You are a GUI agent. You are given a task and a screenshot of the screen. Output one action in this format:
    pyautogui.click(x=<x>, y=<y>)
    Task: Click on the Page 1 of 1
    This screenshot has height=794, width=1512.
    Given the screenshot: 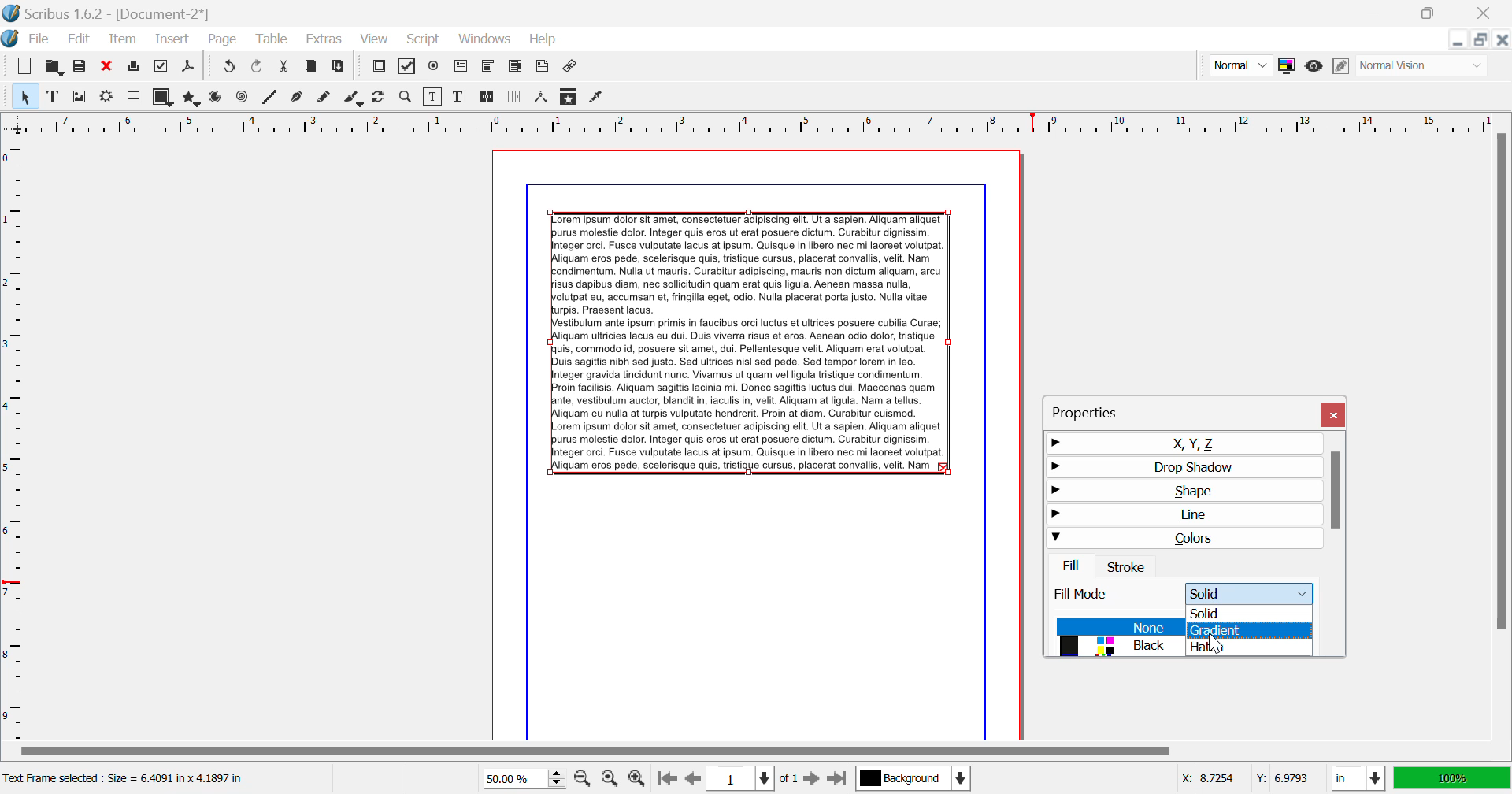 What is the action you would take?
    pyautogui.click(x=750, y=778)
    